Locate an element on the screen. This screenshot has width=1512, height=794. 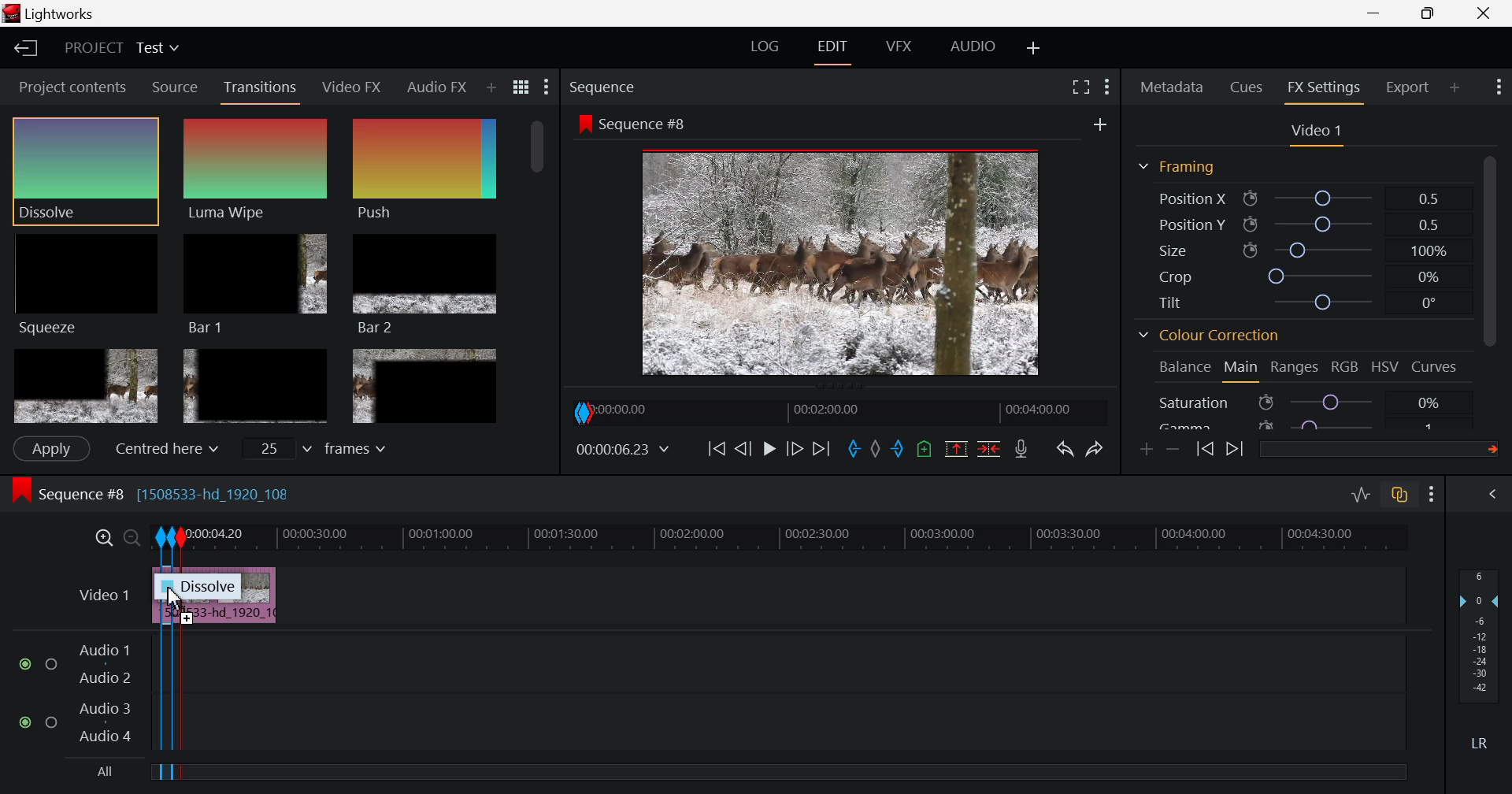
Timeline Zoom Out is located at coordinates (132, 540).